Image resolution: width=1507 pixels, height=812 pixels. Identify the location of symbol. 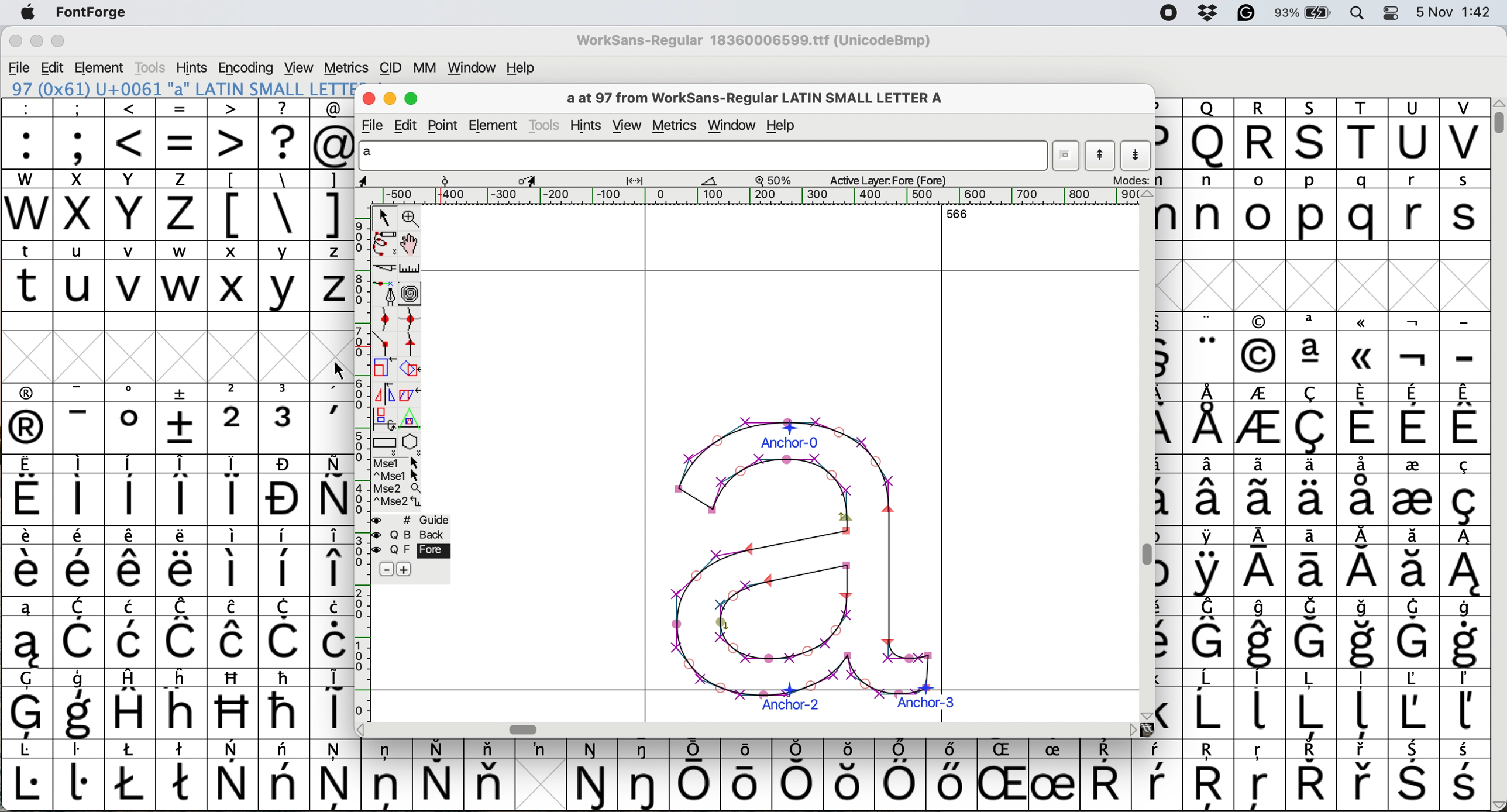
(336, 774).